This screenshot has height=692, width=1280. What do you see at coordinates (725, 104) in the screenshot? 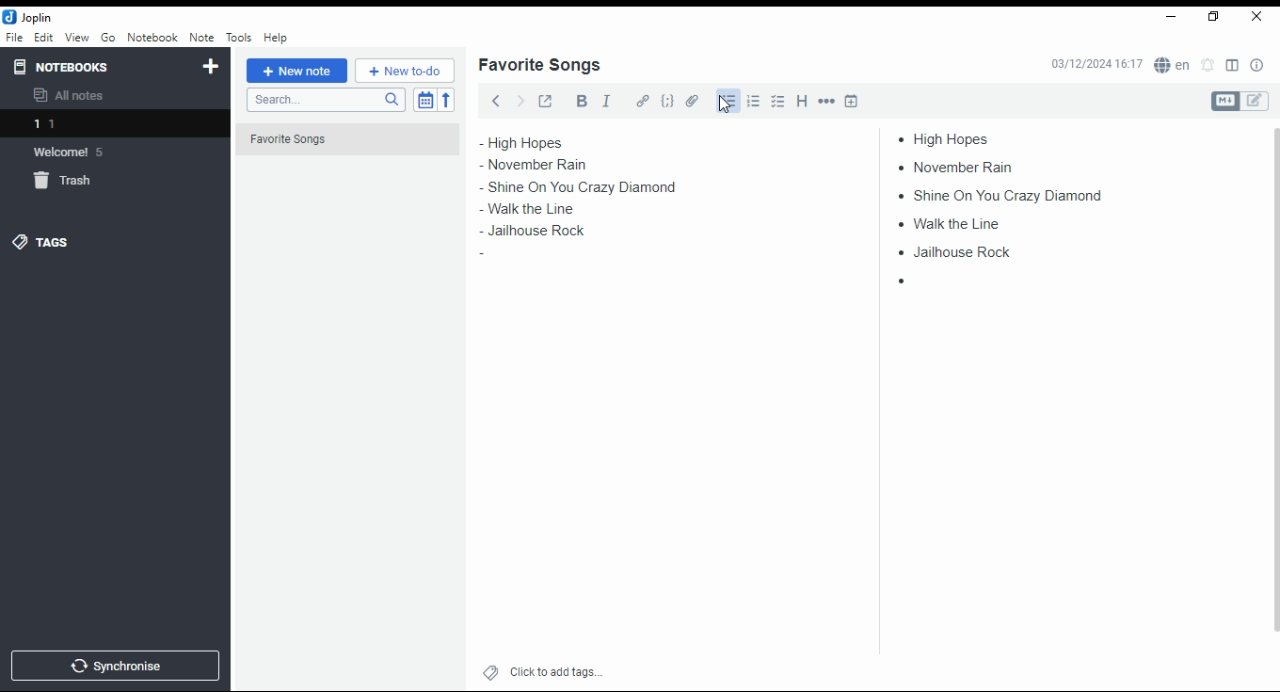
I see `mouse pointer` at bounding box center [725, 104].